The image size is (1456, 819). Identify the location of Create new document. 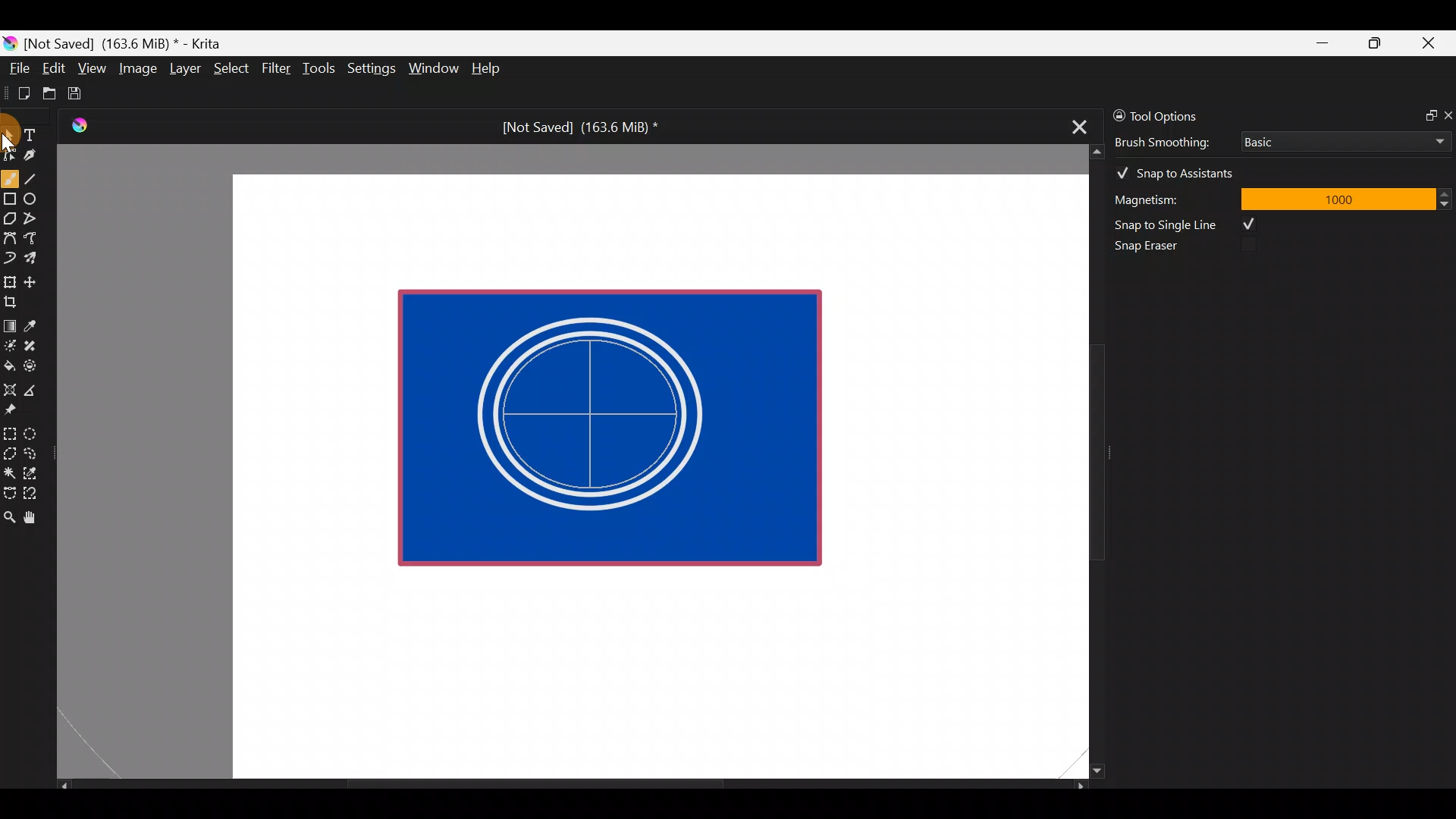
(19, 93).